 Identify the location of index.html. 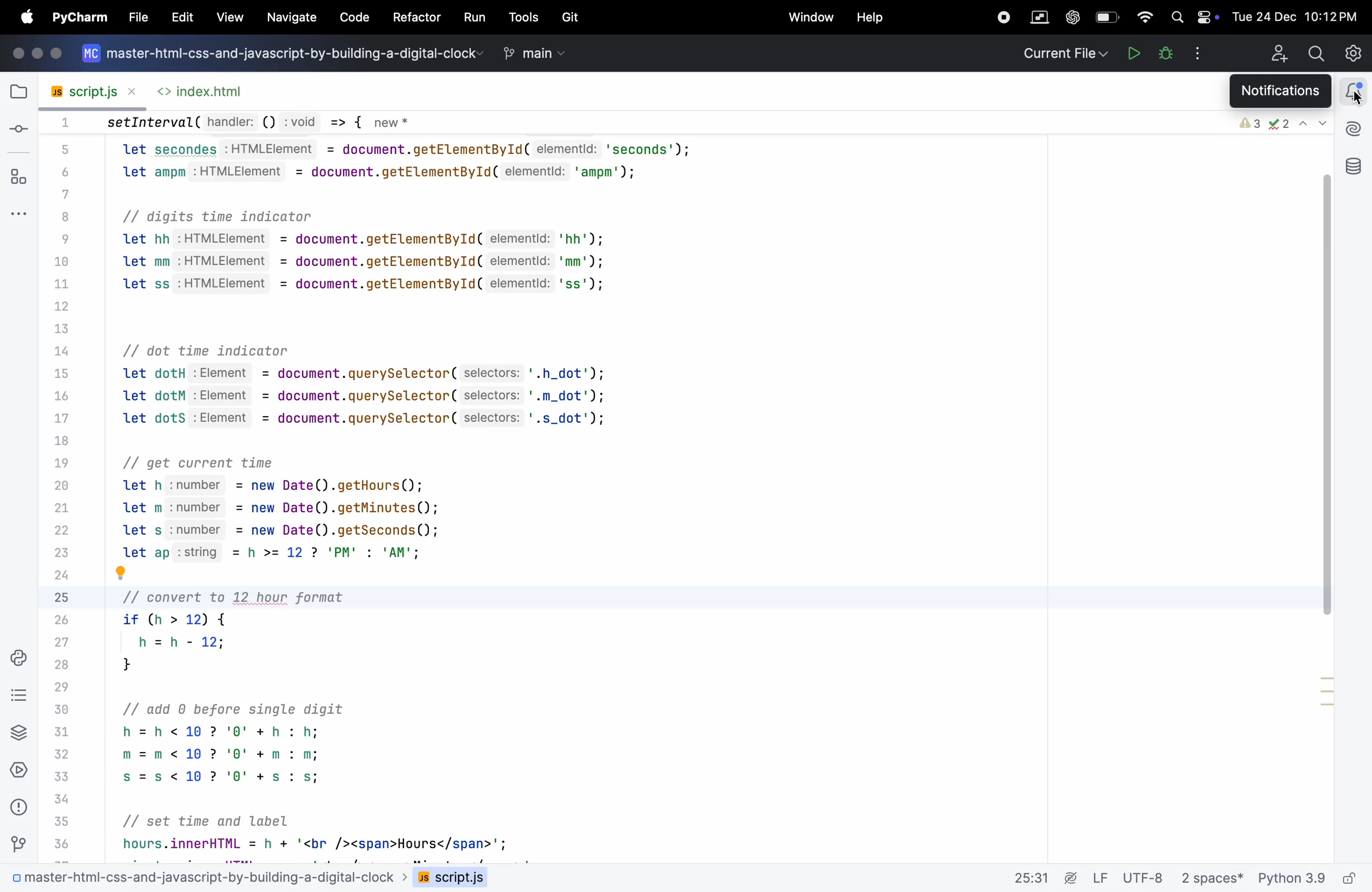
(208, 88).